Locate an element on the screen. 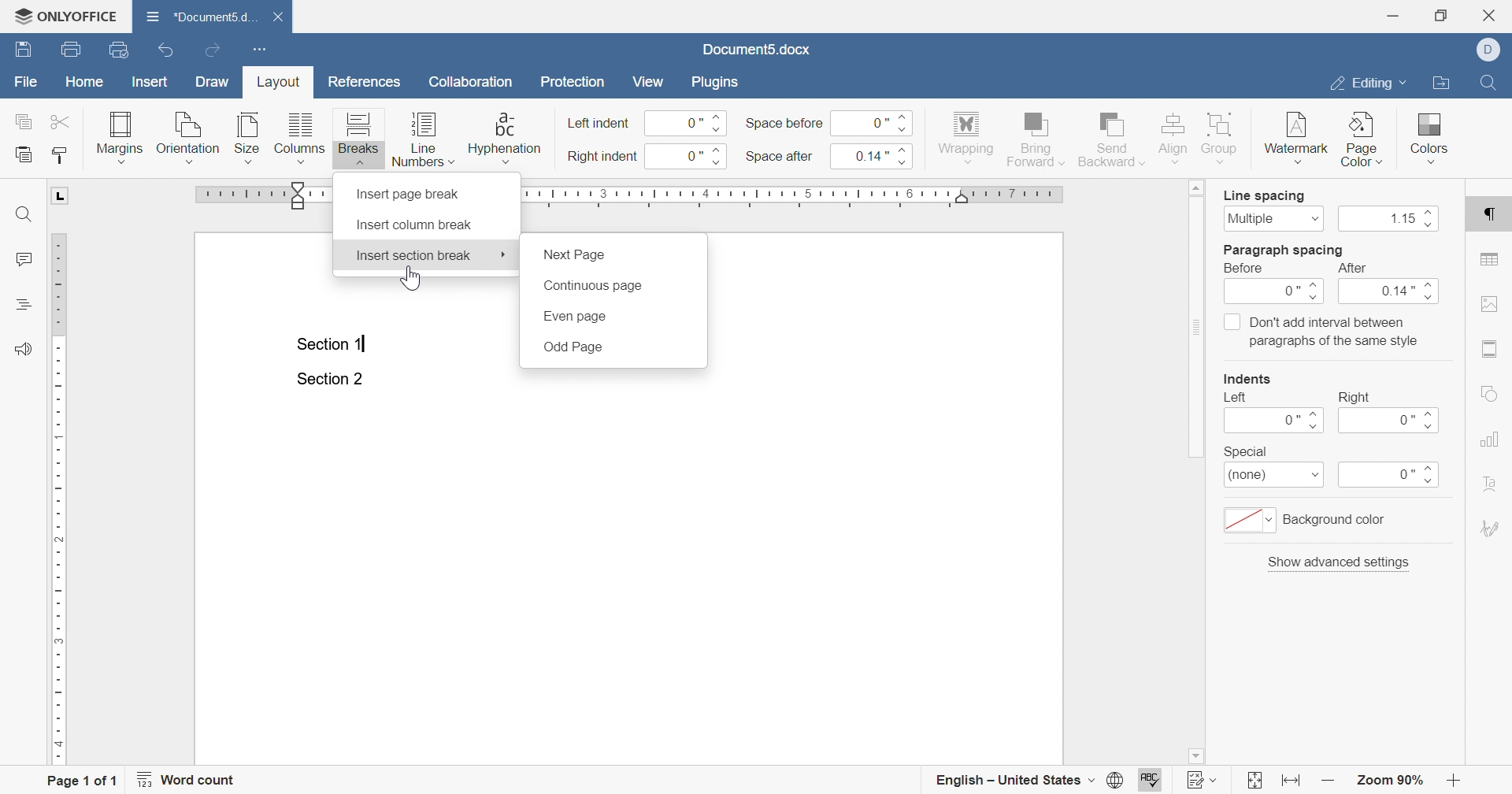 The width and height of the screenshot is (1512, 794). english - united states is located at coordinates (1028, 781).